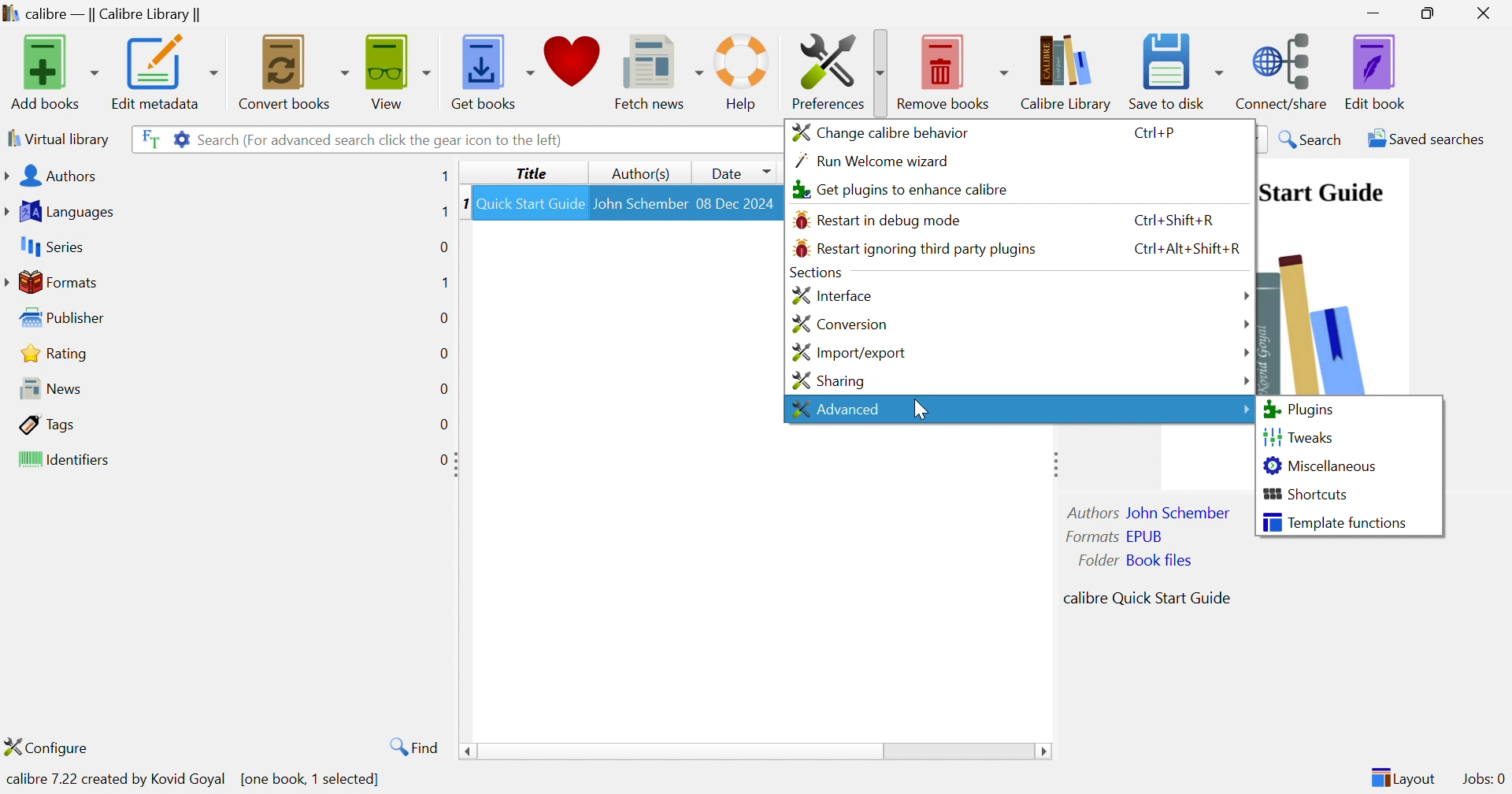 This screenshot has width=1512, height=794. I want to click on Help, so click(743, 72).